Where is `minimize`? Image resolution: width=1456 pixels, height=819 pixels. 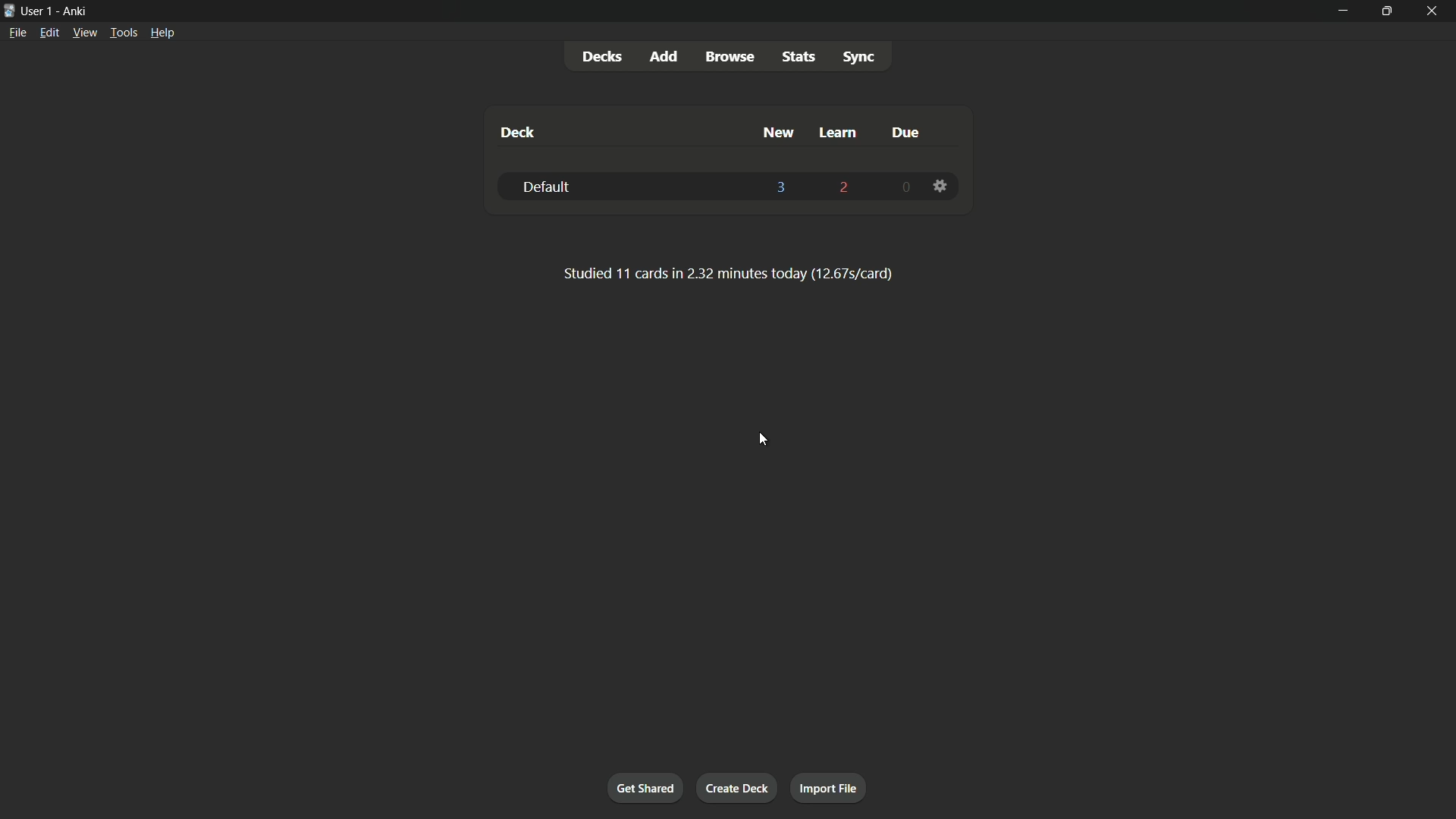
minimize is located at coordinates (1343, 11).